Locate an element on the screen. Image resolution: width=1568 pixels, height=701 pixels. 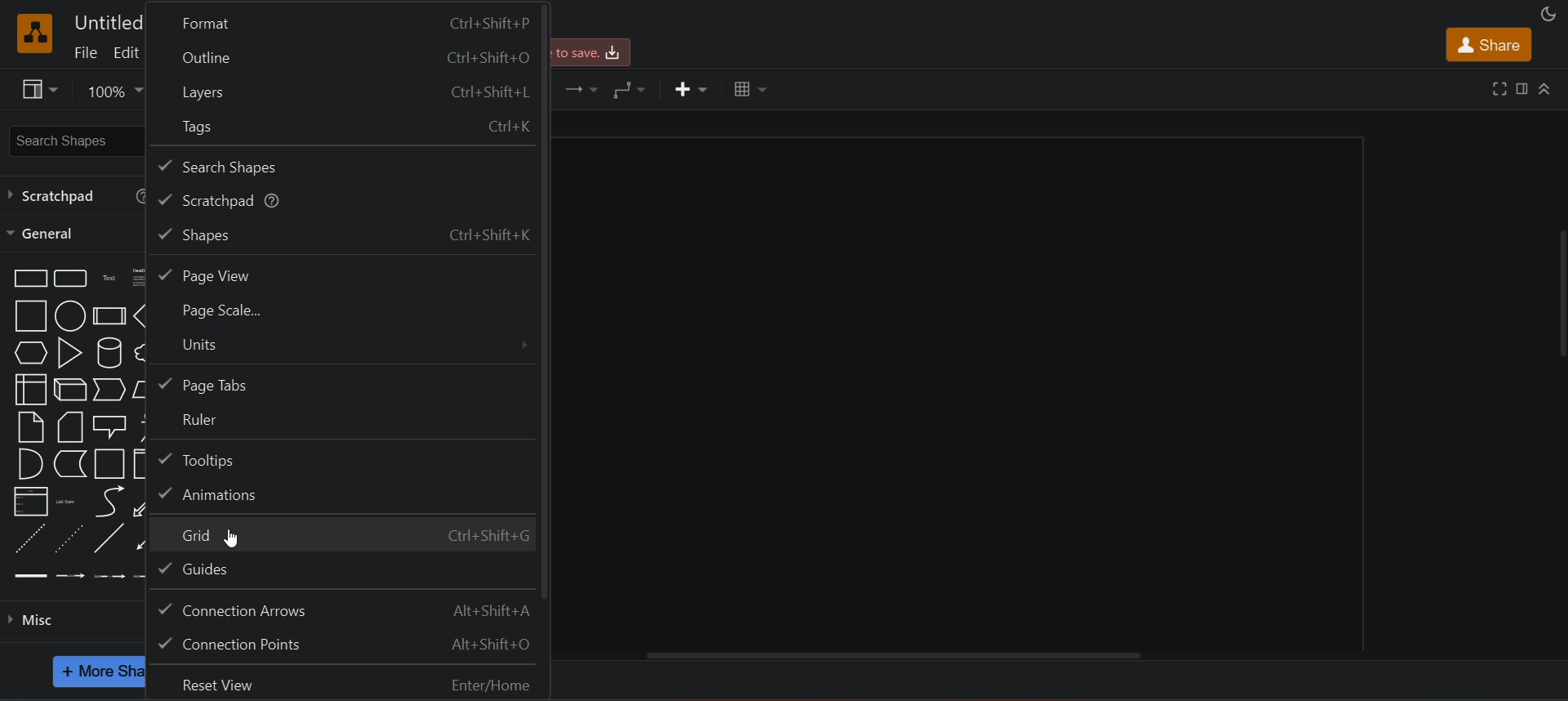
list item is located at coordinates (65, 501).